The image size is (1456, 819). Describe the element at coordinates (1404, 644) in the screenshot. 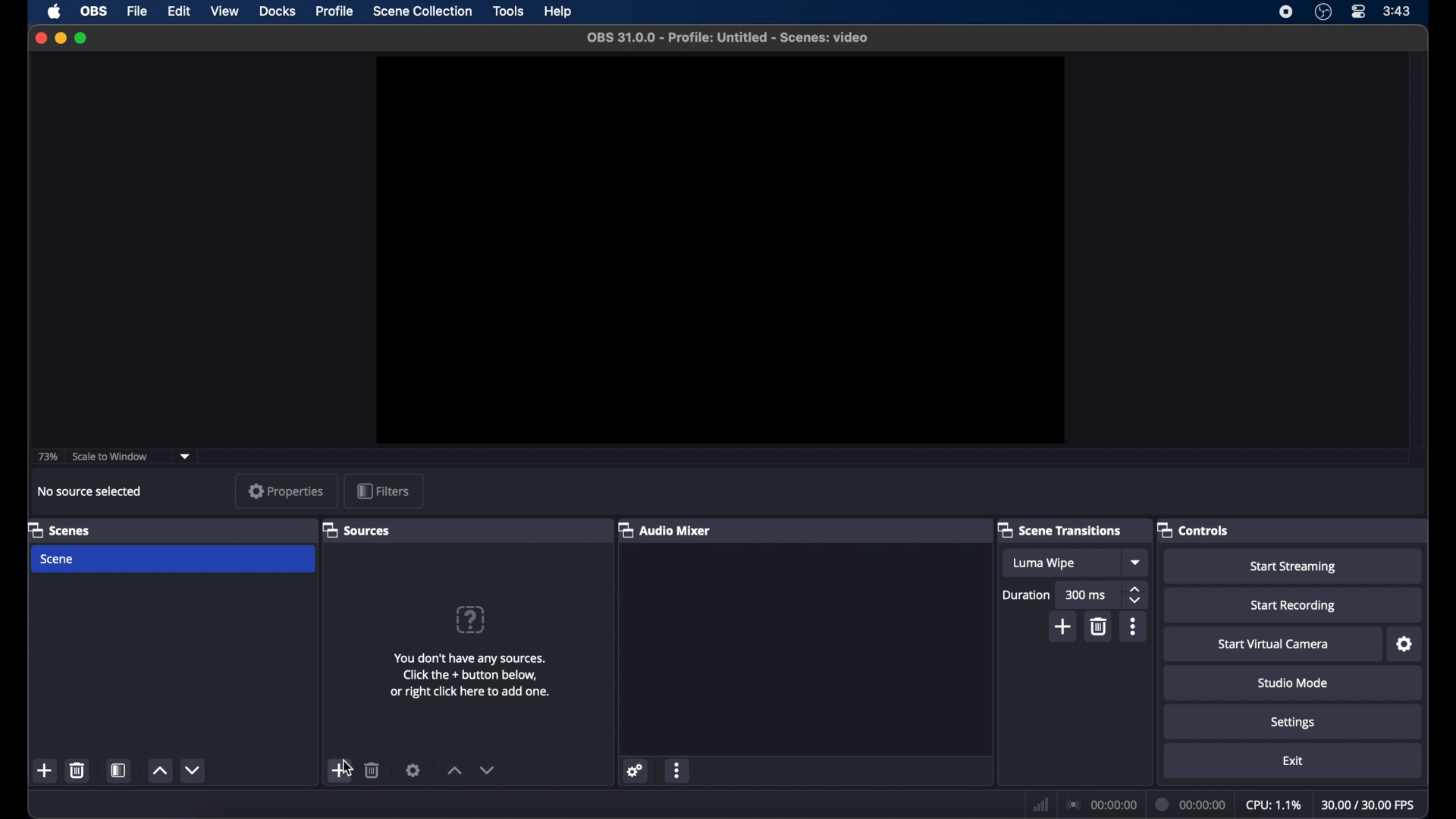

I see `settings` at that location.